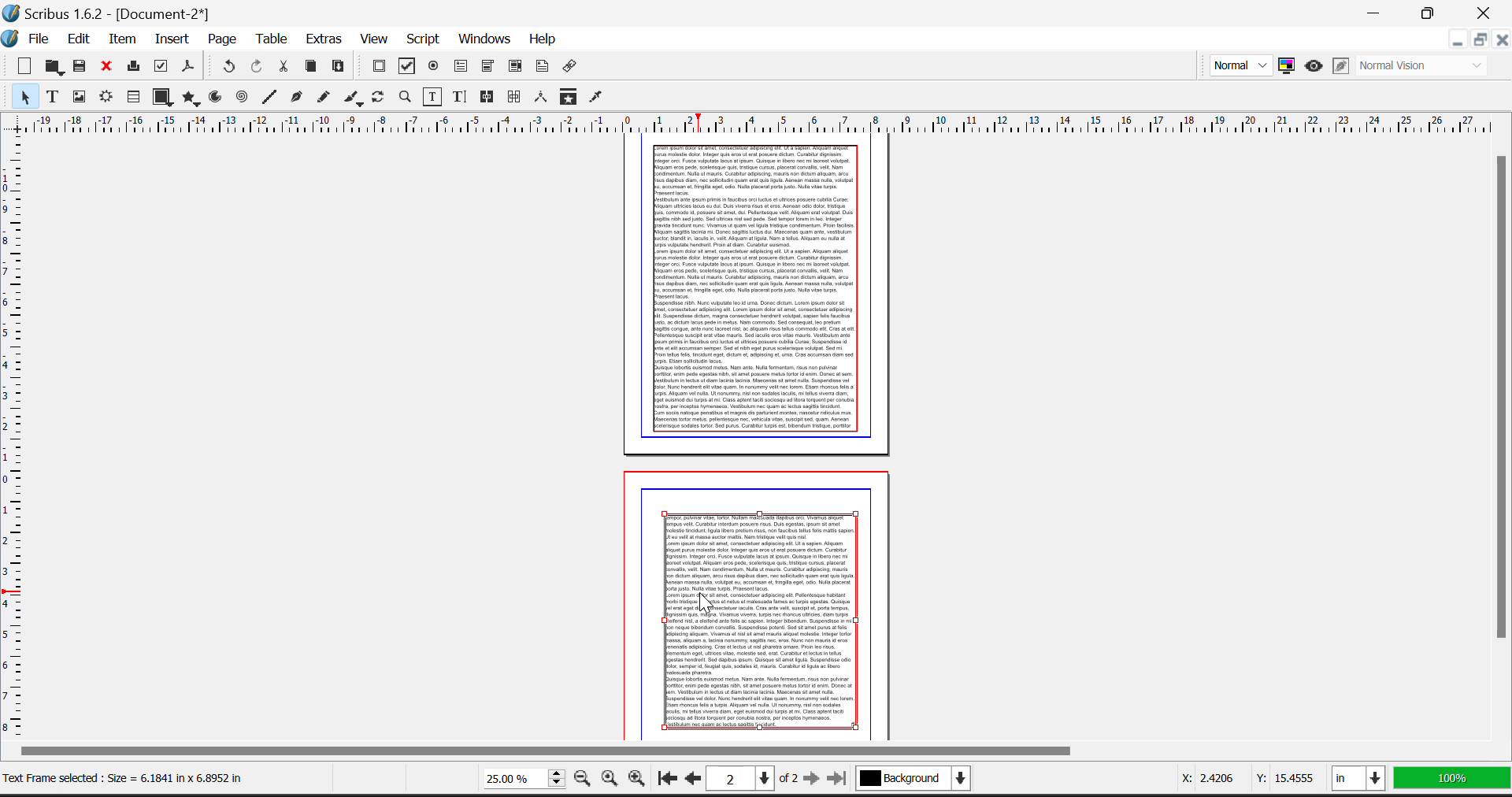 This screenshot has width=1512, height=797. What do you see at coordinates (573, 69) in the screenshot?
I see `Link Annotation` at bounding box center [573, 69].